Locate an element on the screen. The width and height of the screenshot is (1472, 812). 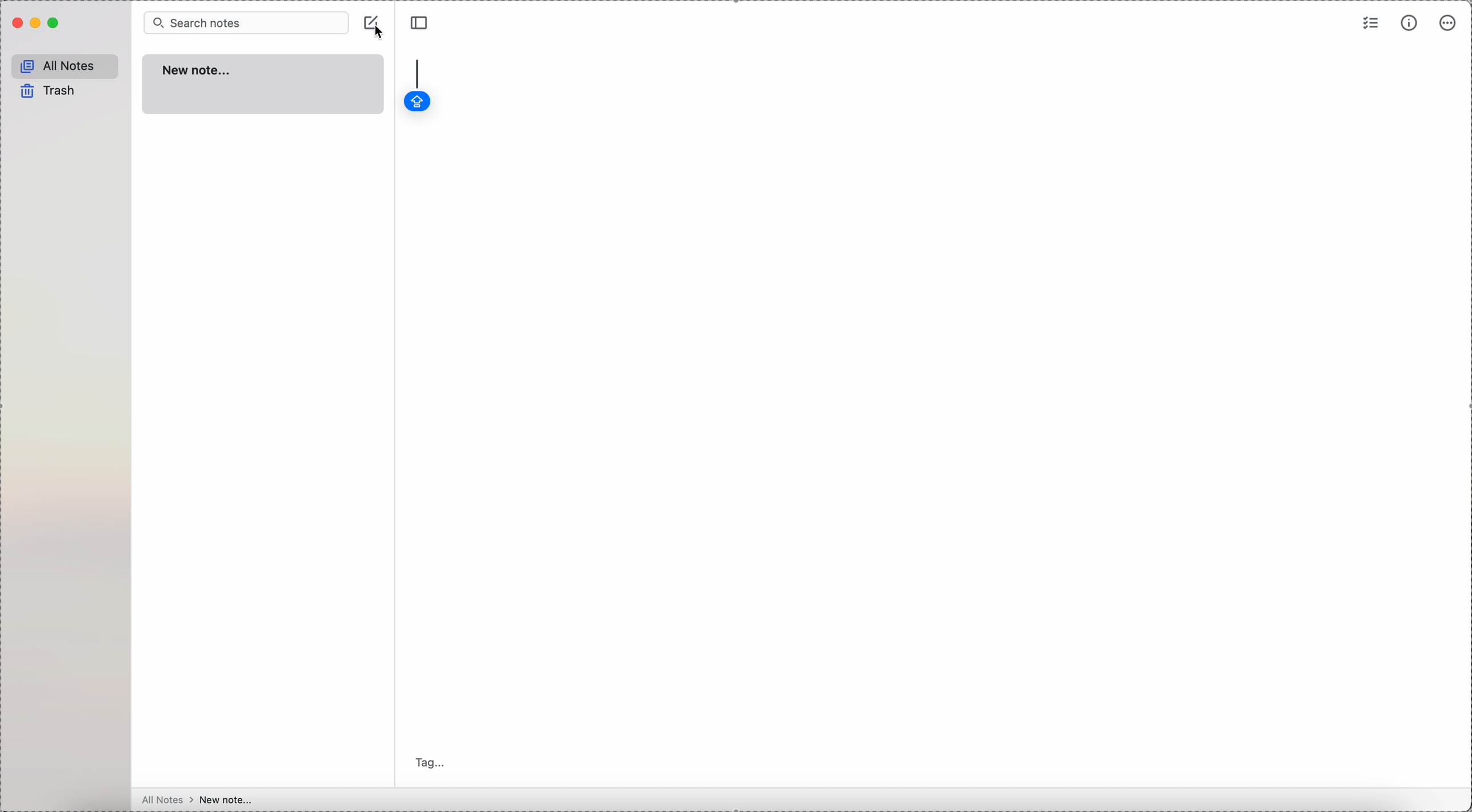
search bar is located at coordinates (246, 22).